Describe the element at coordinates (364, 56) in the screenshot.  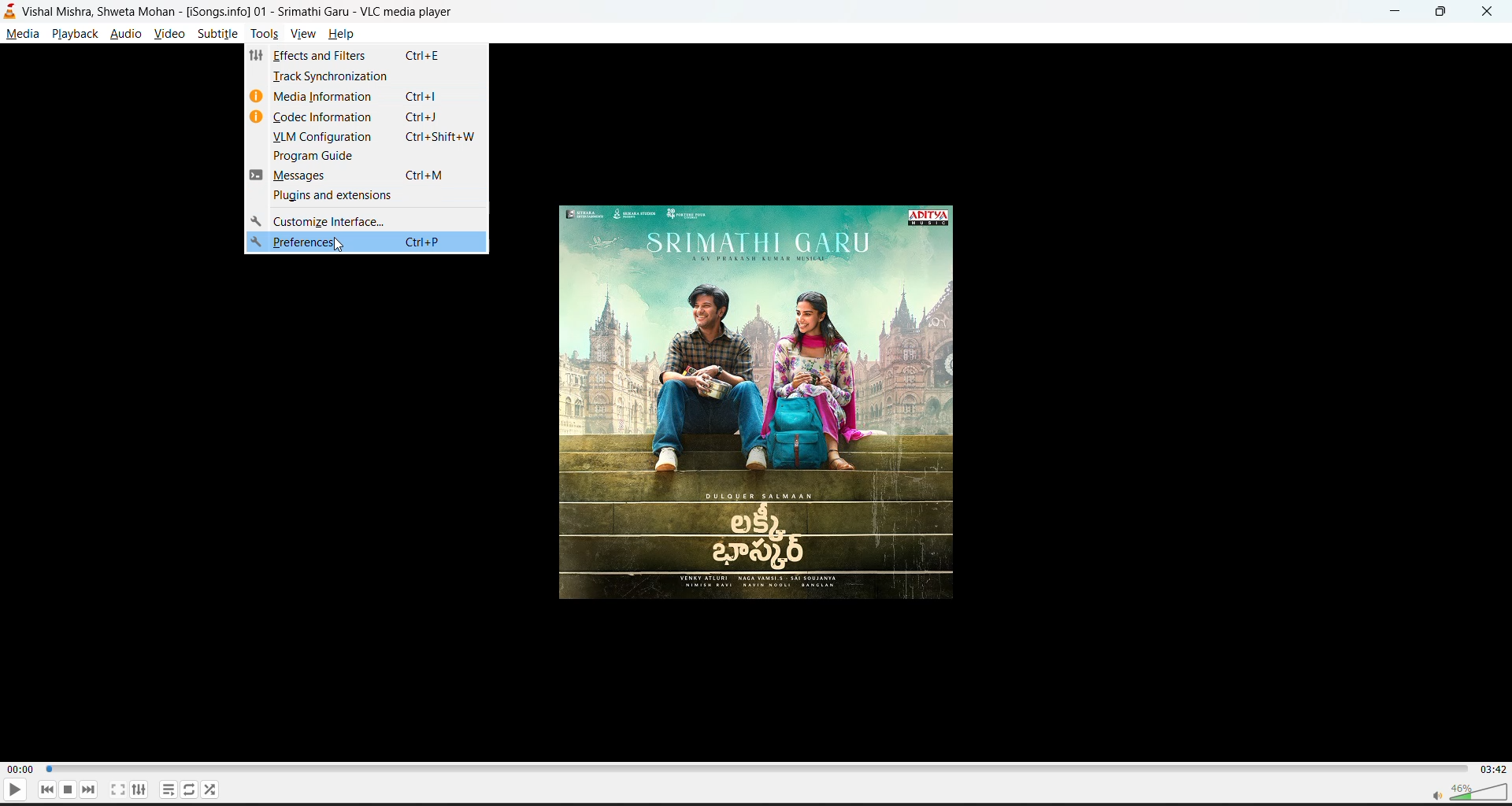
I see `effects and filters` at that location.